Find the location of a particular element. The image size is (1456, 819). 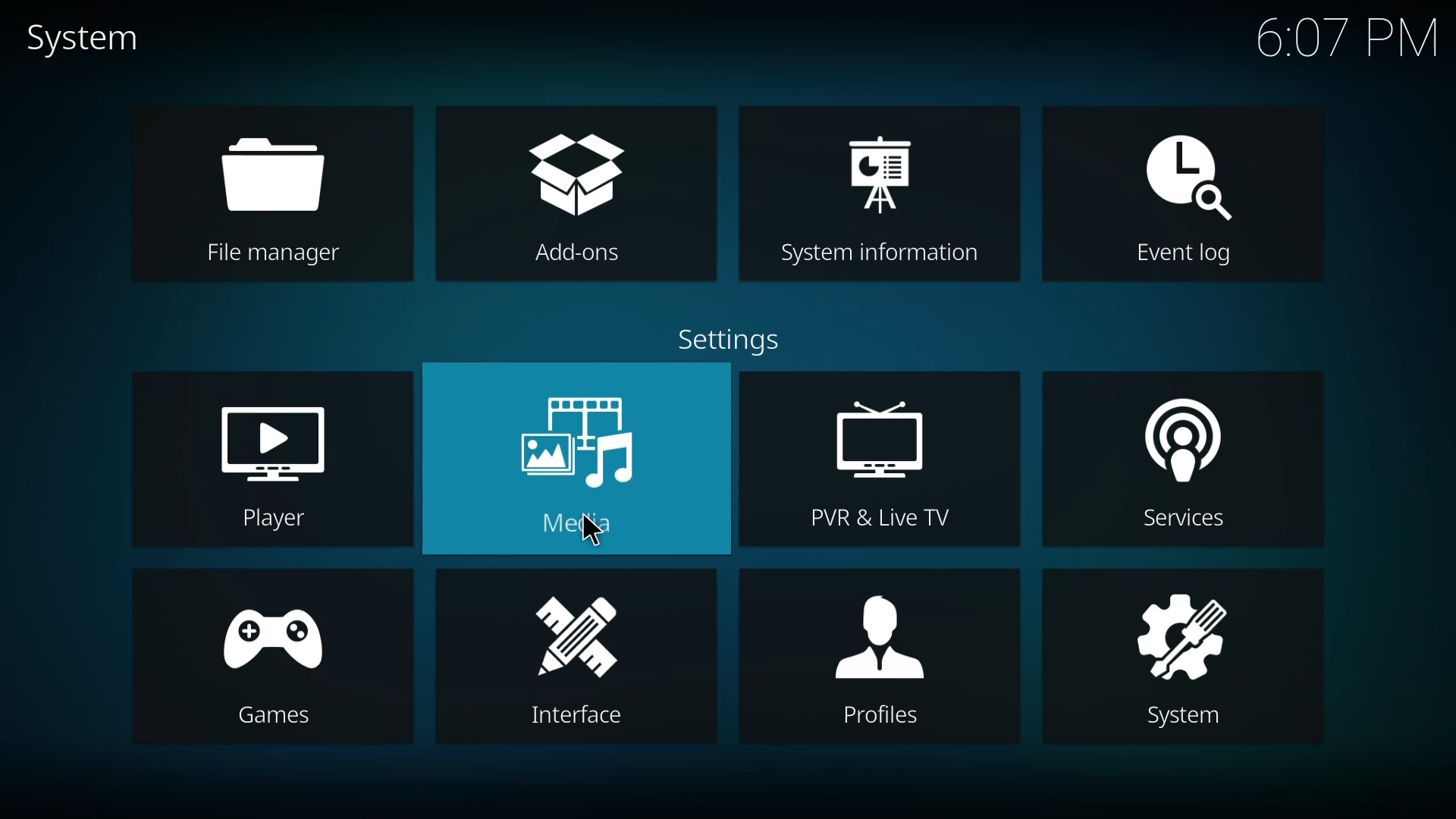

[CEES is located at coordinates (270, 714).